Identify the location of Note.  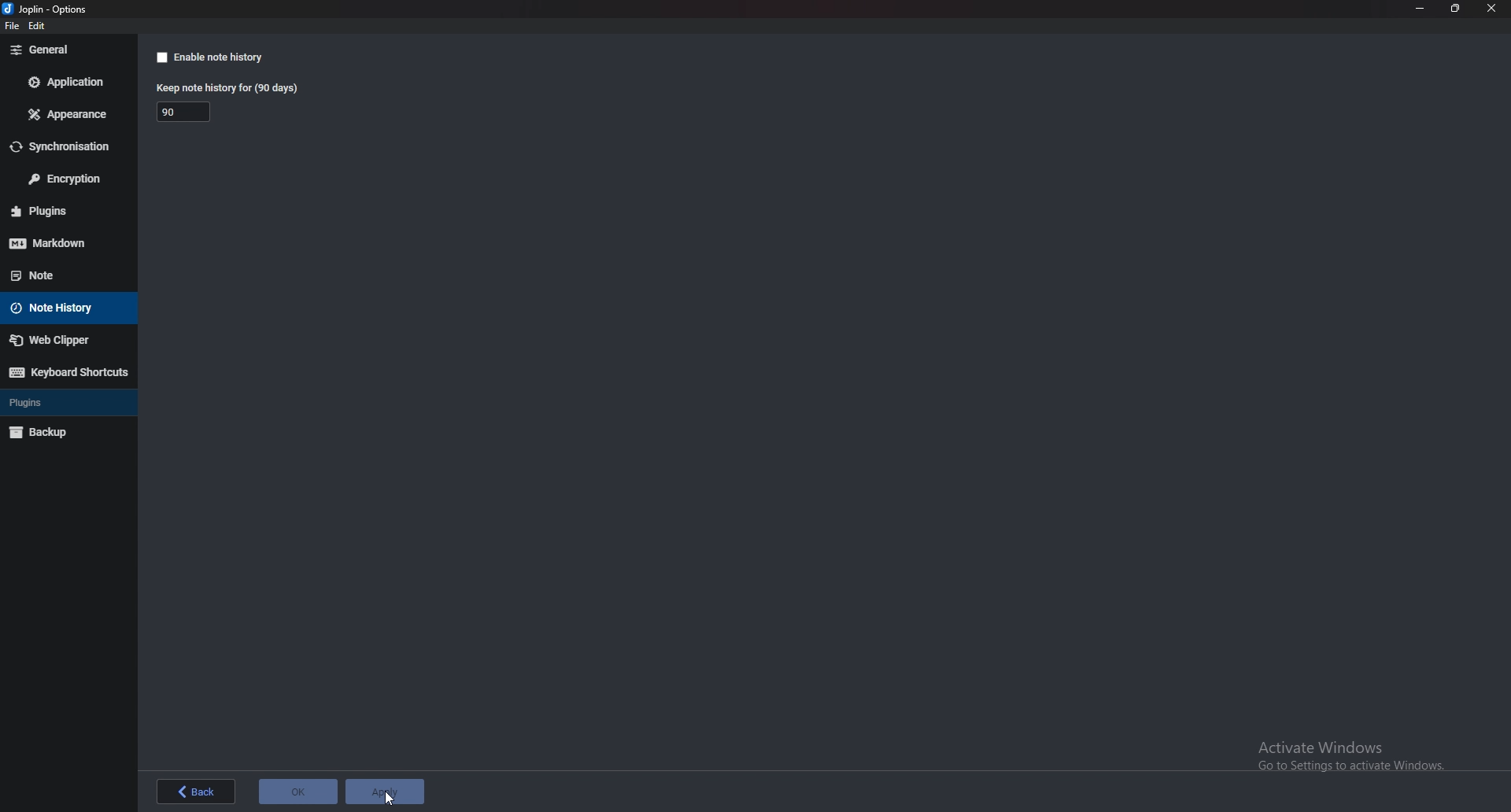
(60, 274).